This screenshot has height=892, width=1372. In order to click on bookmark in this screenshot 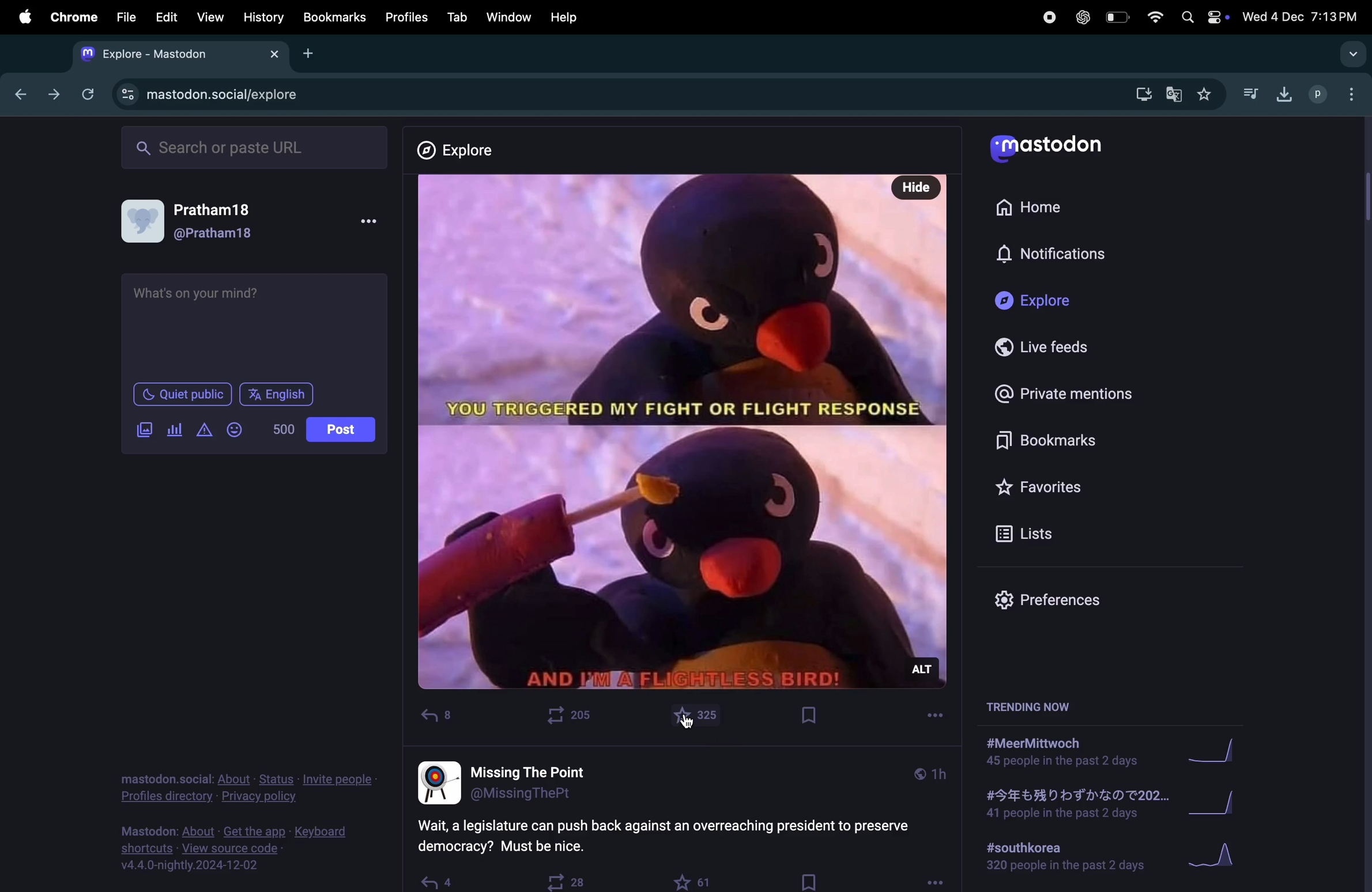, I will do `click(809, 880)`.